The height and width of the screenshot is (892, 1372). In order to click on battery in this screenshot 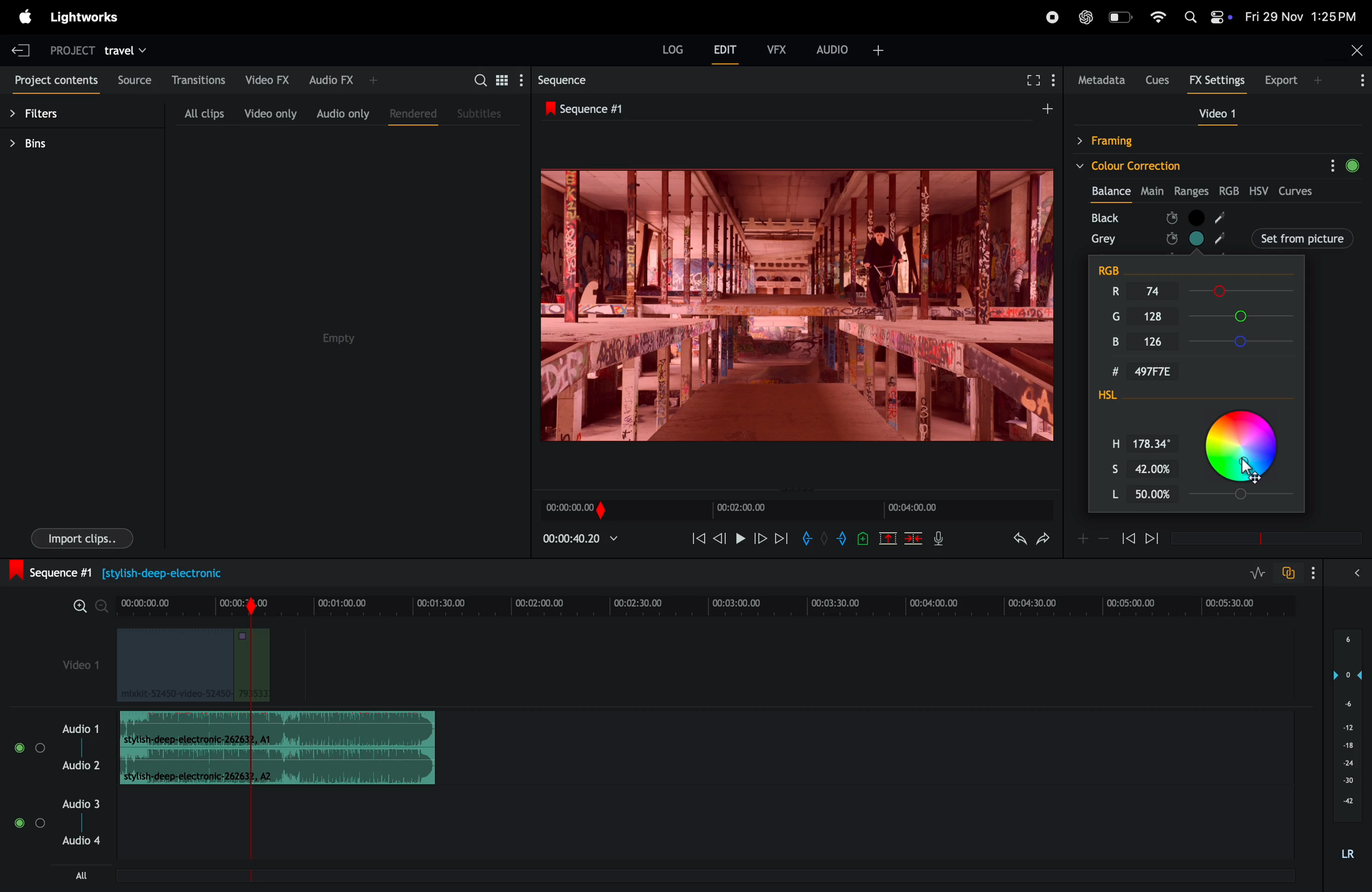, I will do `click(1121, 17)`.